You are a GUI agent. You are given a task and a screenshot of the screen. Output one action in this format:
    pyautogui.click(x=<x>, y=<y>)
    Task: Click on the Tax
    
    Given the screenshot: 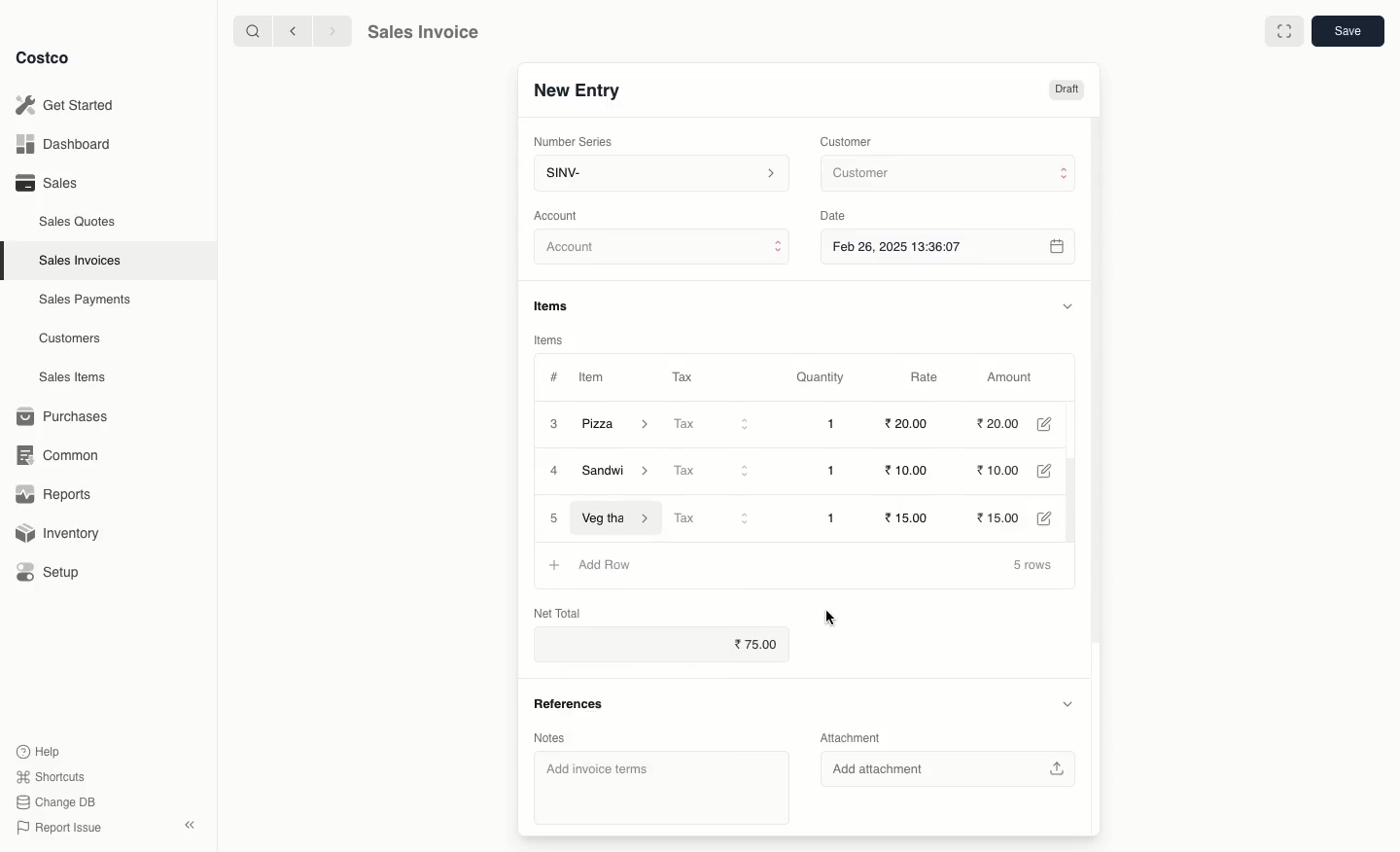 What is the action you would take?
    pyautogui.click(x=713, y=470)
    